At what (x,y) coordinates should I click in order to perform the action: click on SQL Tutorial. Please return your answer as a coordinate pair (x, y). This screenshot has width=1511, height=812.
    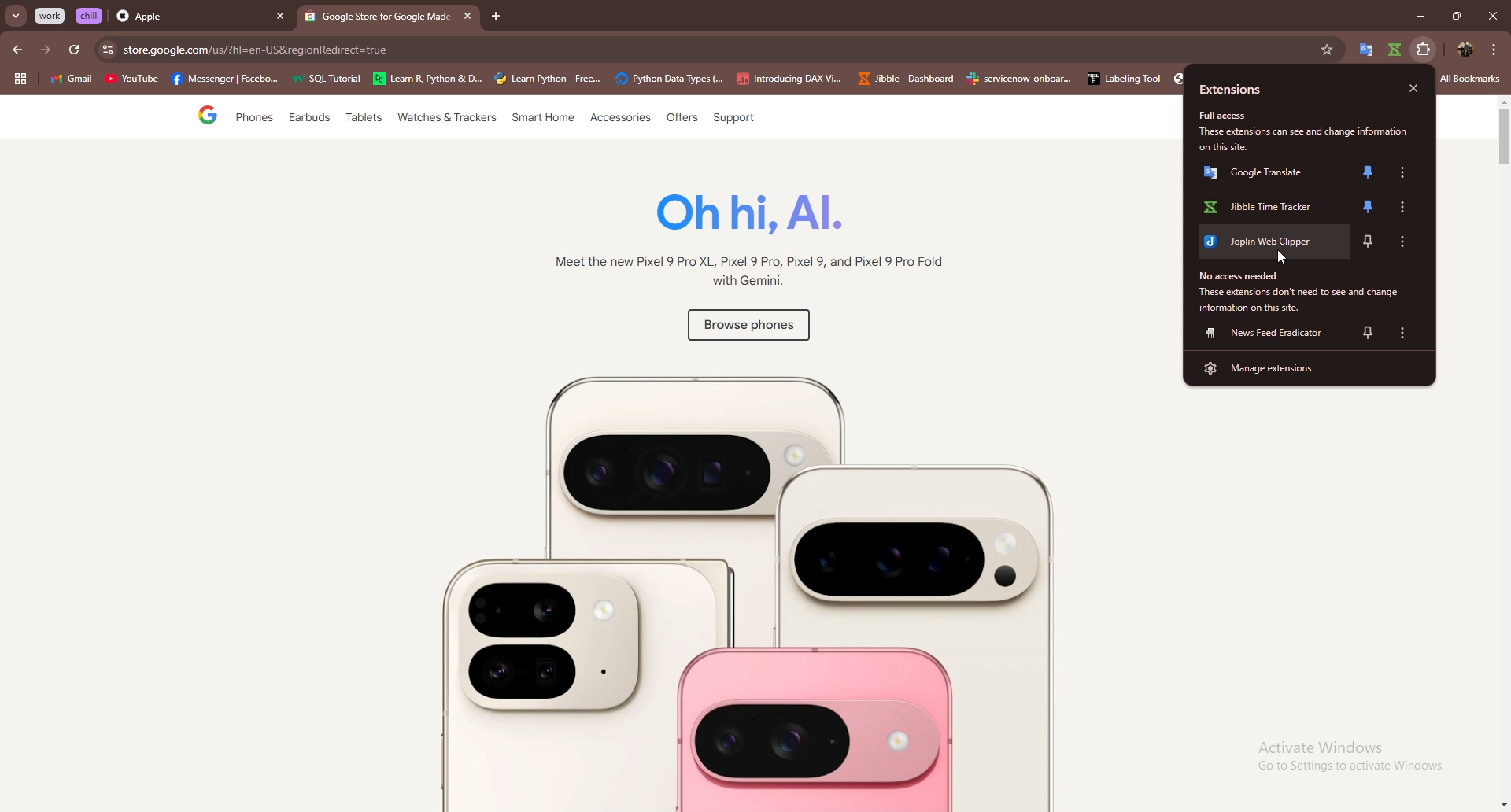
    Looking at the image, I should click on (331, 80).